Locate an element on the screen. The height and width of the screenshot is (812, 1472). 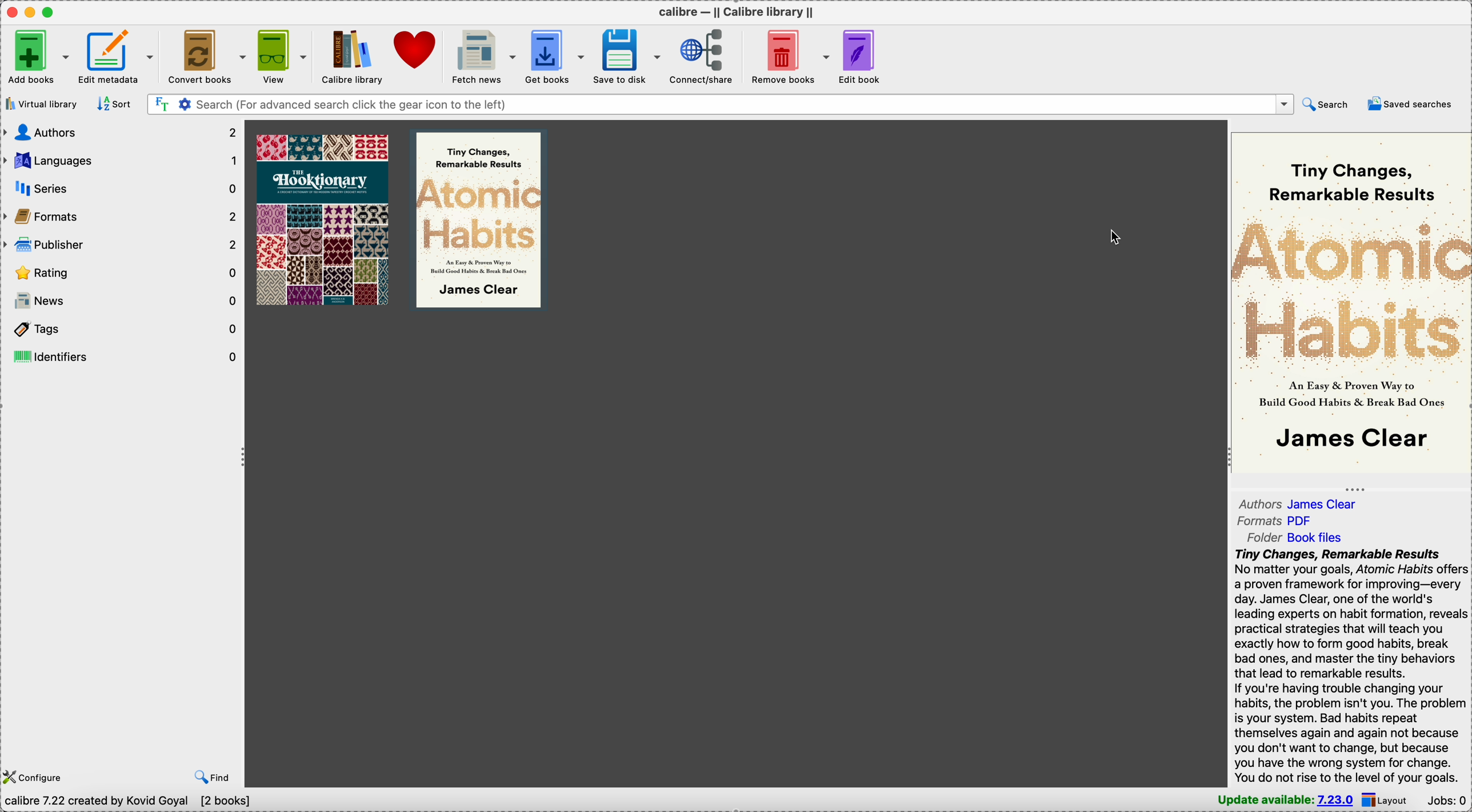
news is located at coordinates (122, 302).